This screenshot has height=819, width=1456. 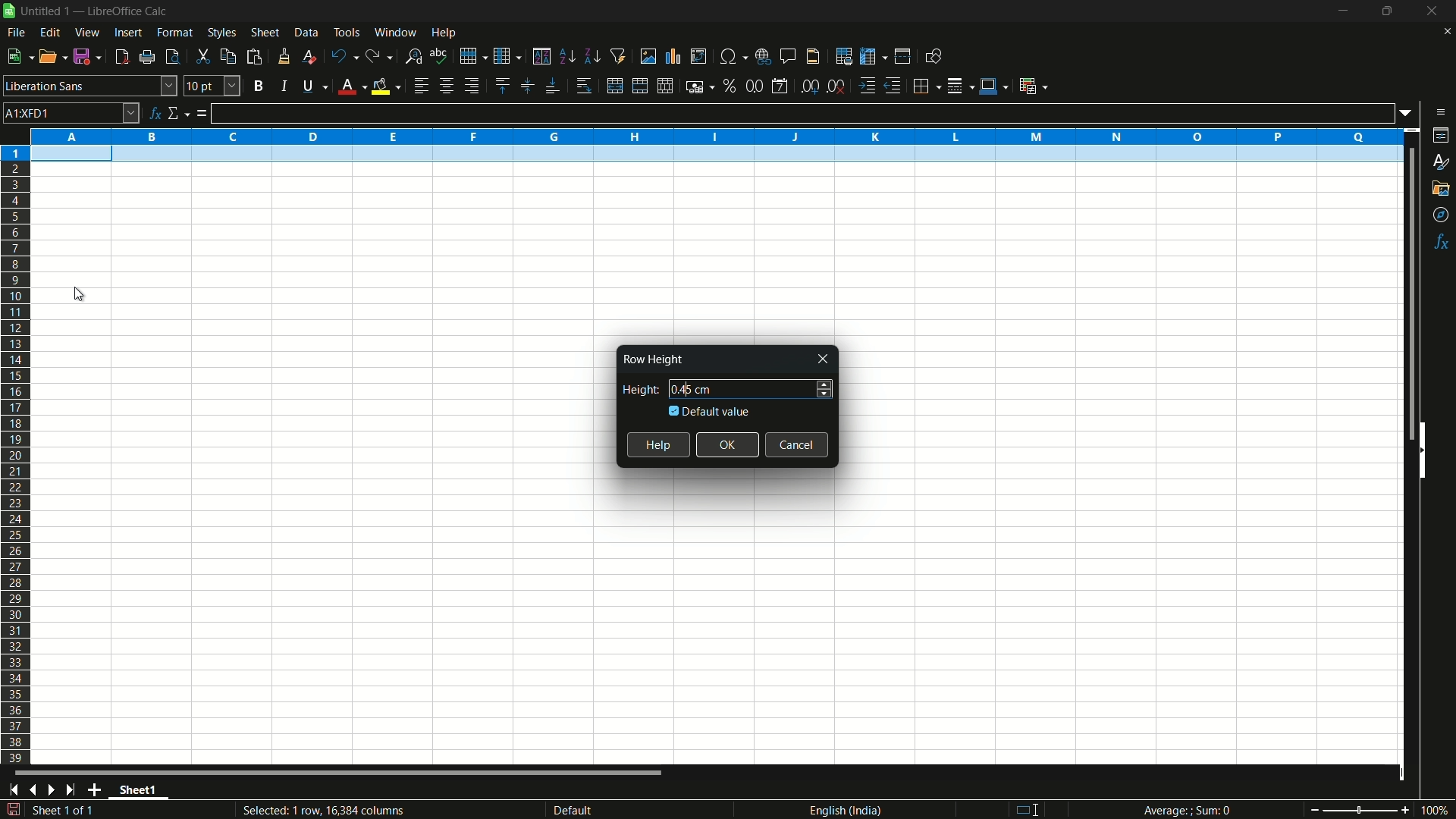 I want to click on insert hyperlink, so click(x=765, y=55).